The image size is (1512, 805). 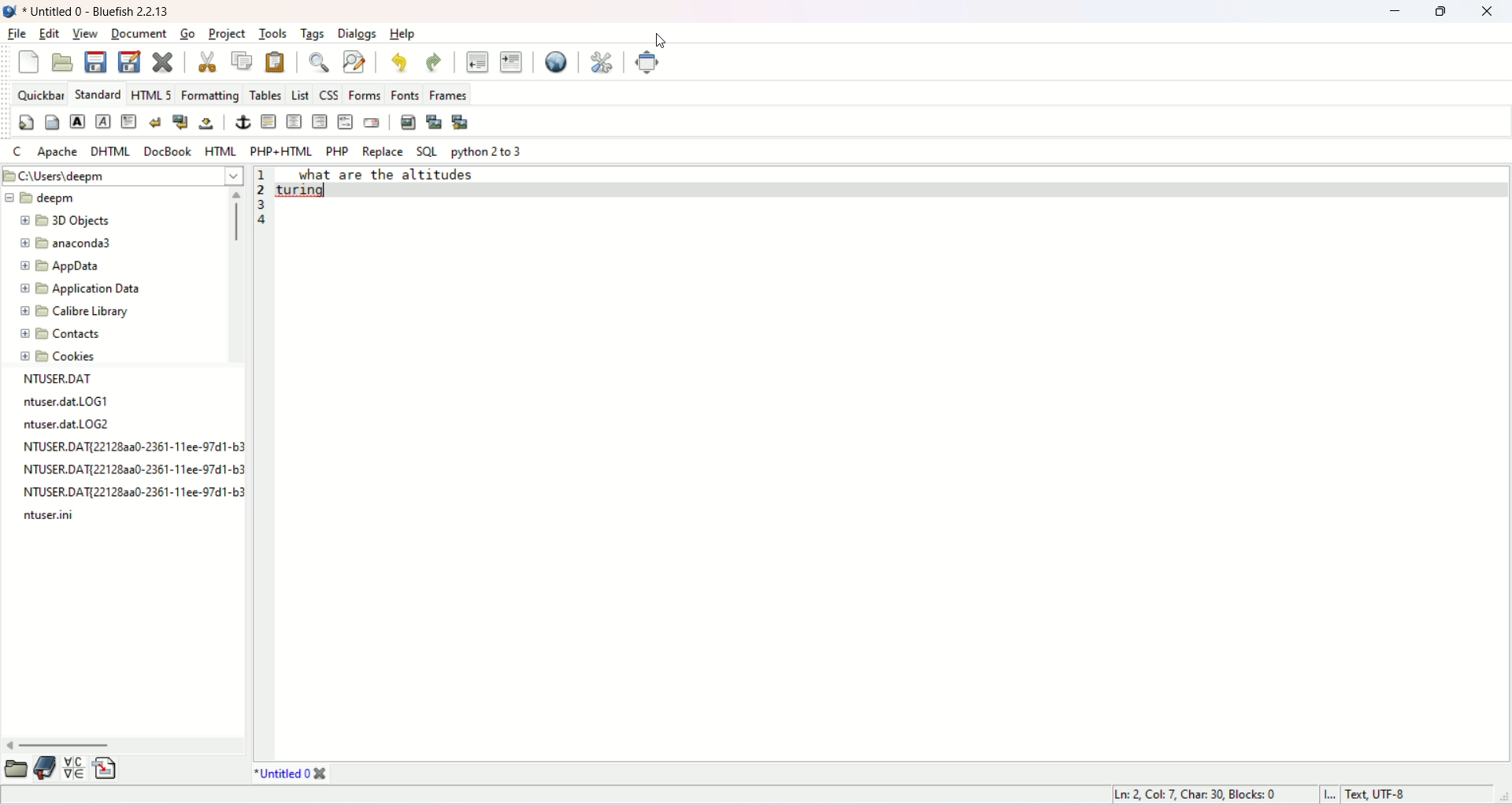 What do you see at coordinates (129, 61) in the screenshot?
I see `save file as` at bounding box center [129, 61].